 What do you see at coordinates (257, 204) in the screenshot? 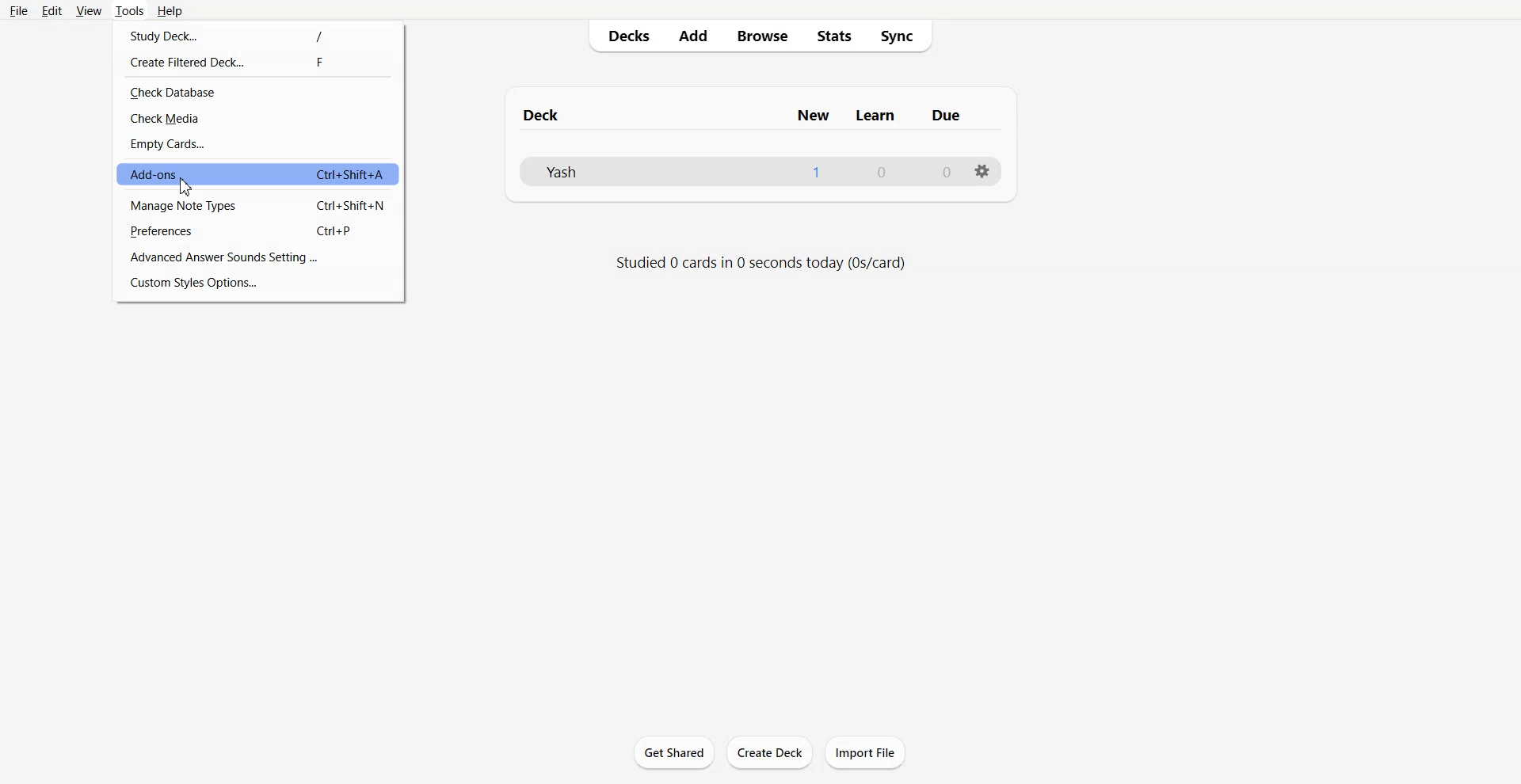
I see `Manage note Types` at bounding box center [257, 204].